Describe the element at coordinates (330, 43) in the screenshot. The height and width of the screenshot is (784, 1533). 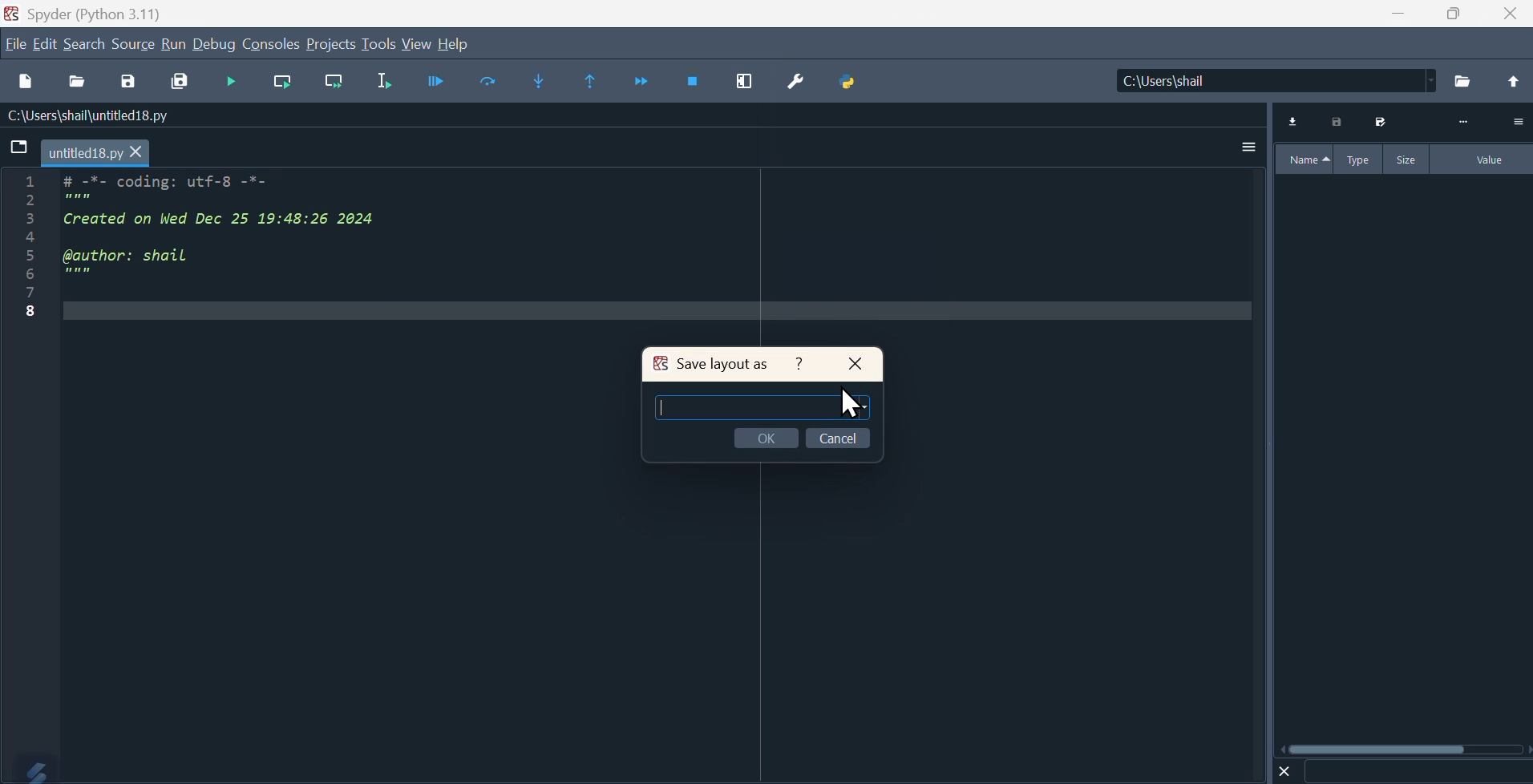
I see `Project` at that location.